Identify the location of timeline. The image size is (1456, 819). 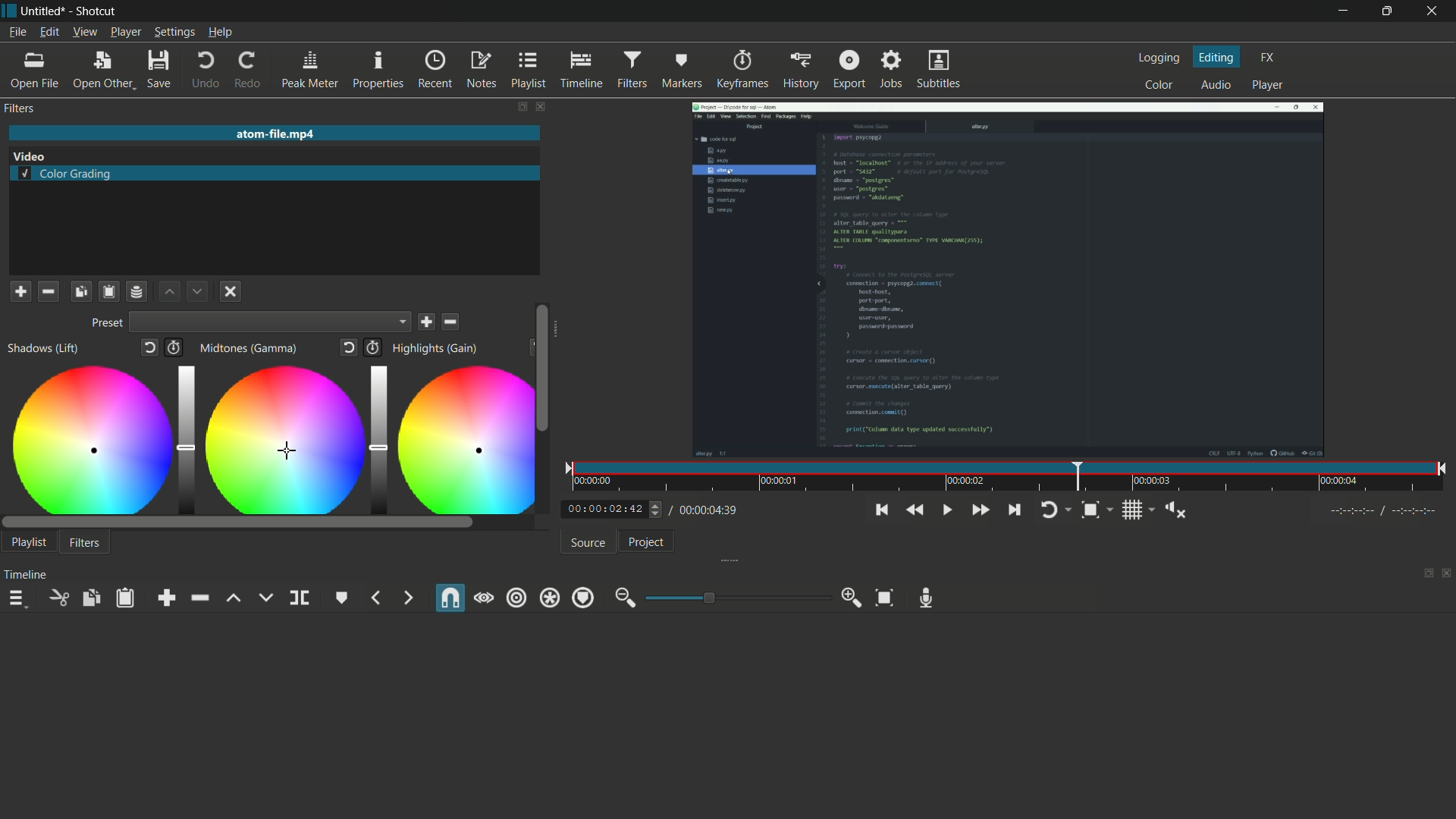
(579, 70).